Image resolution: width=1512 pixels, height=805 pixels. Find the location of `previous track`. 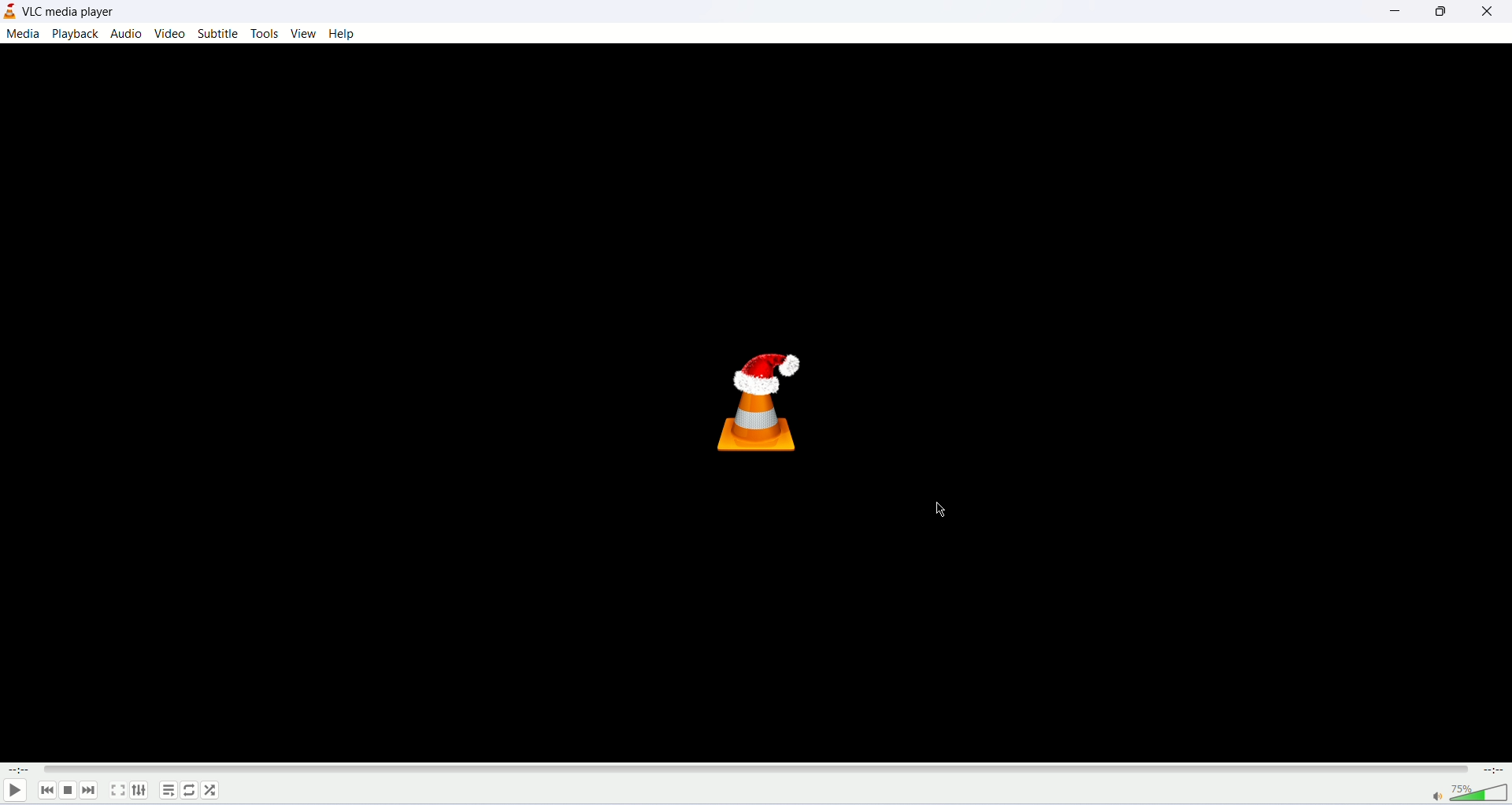

previous track is located at coordinates (47, 790).